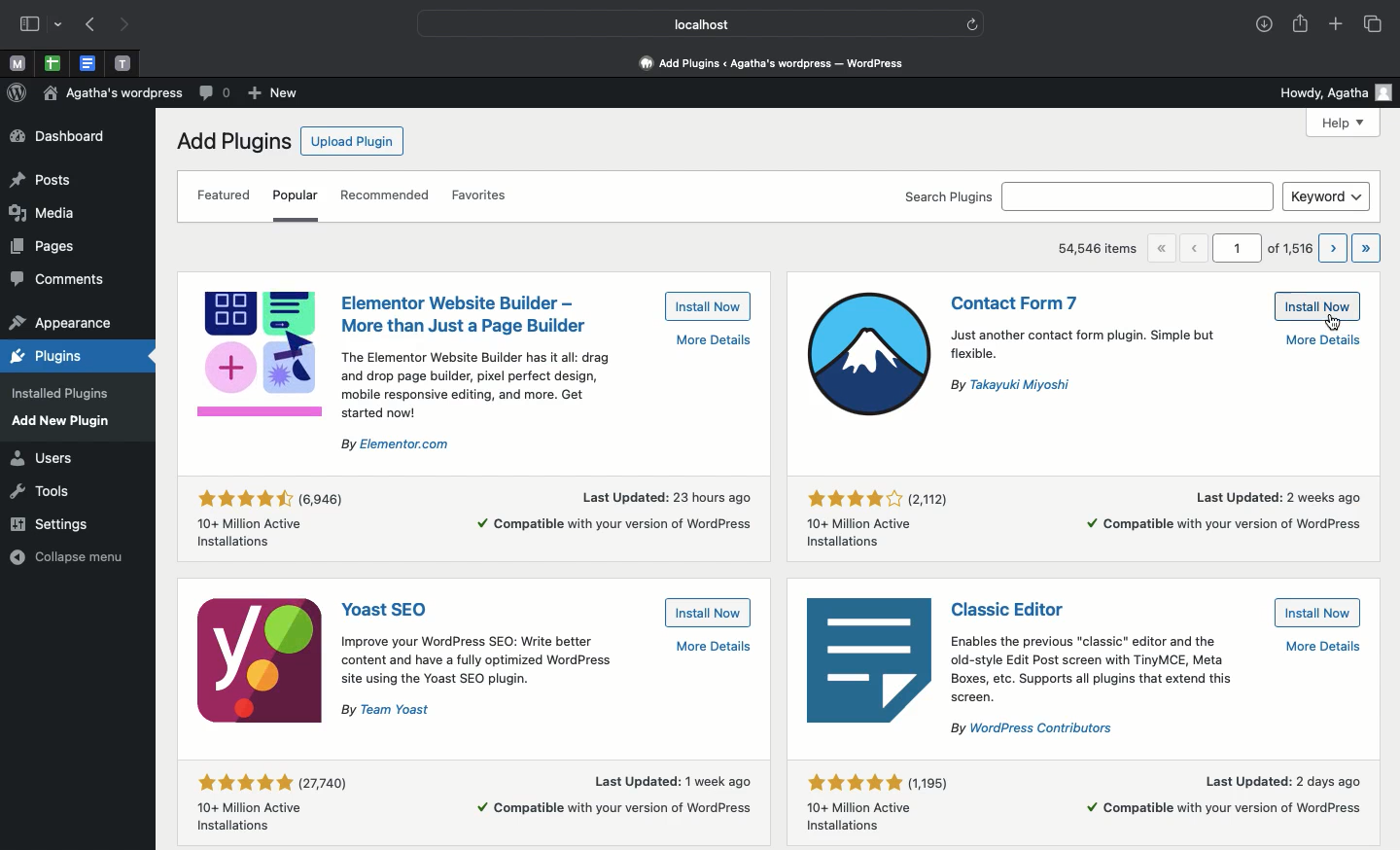  What do you see at coordinates (385, 610) in the screenshot?
I see `Yoast SEO` at bounding box center [385, 610].